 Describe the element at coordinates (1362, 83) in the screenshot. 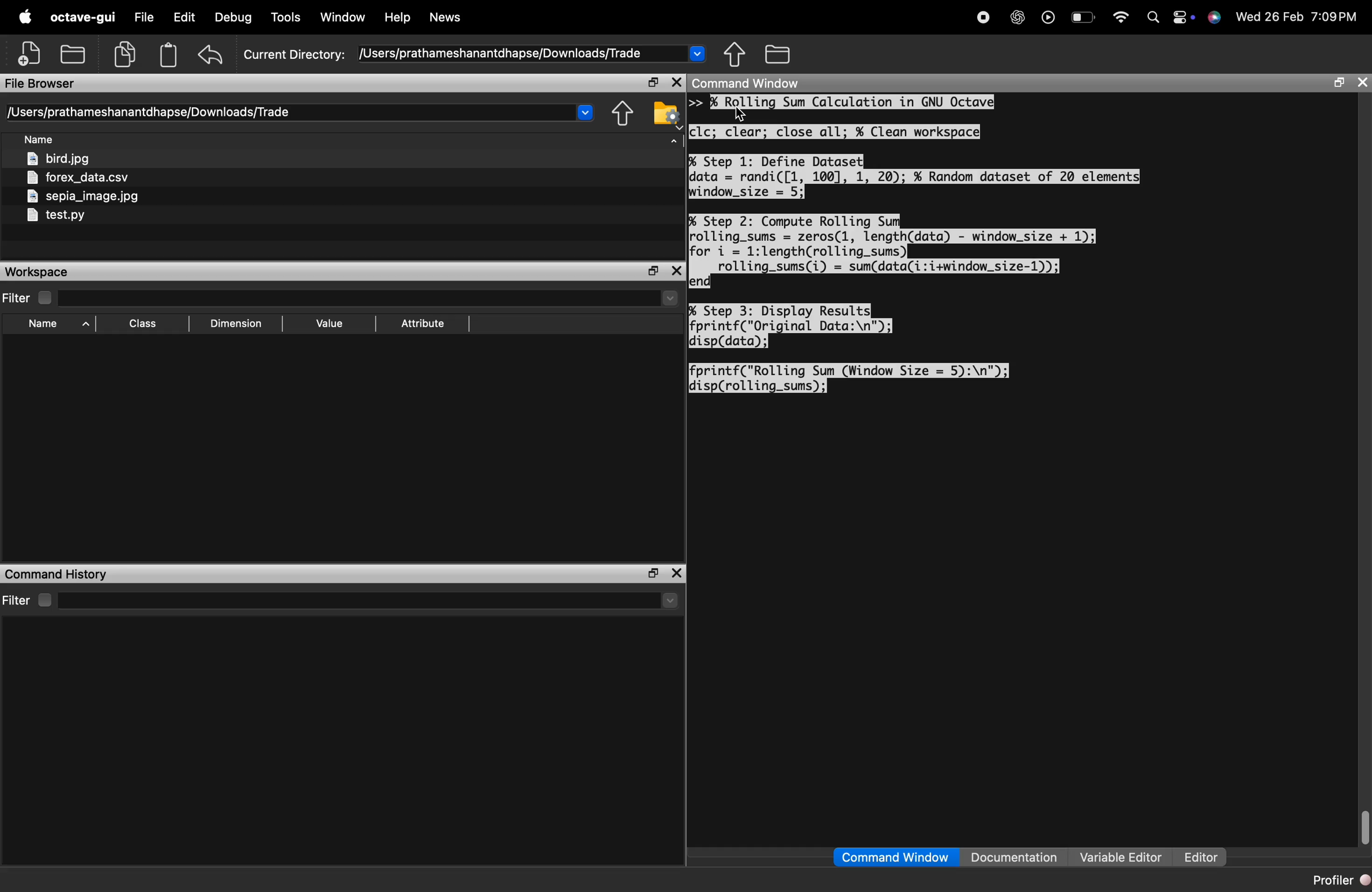

I see `close` at that location.